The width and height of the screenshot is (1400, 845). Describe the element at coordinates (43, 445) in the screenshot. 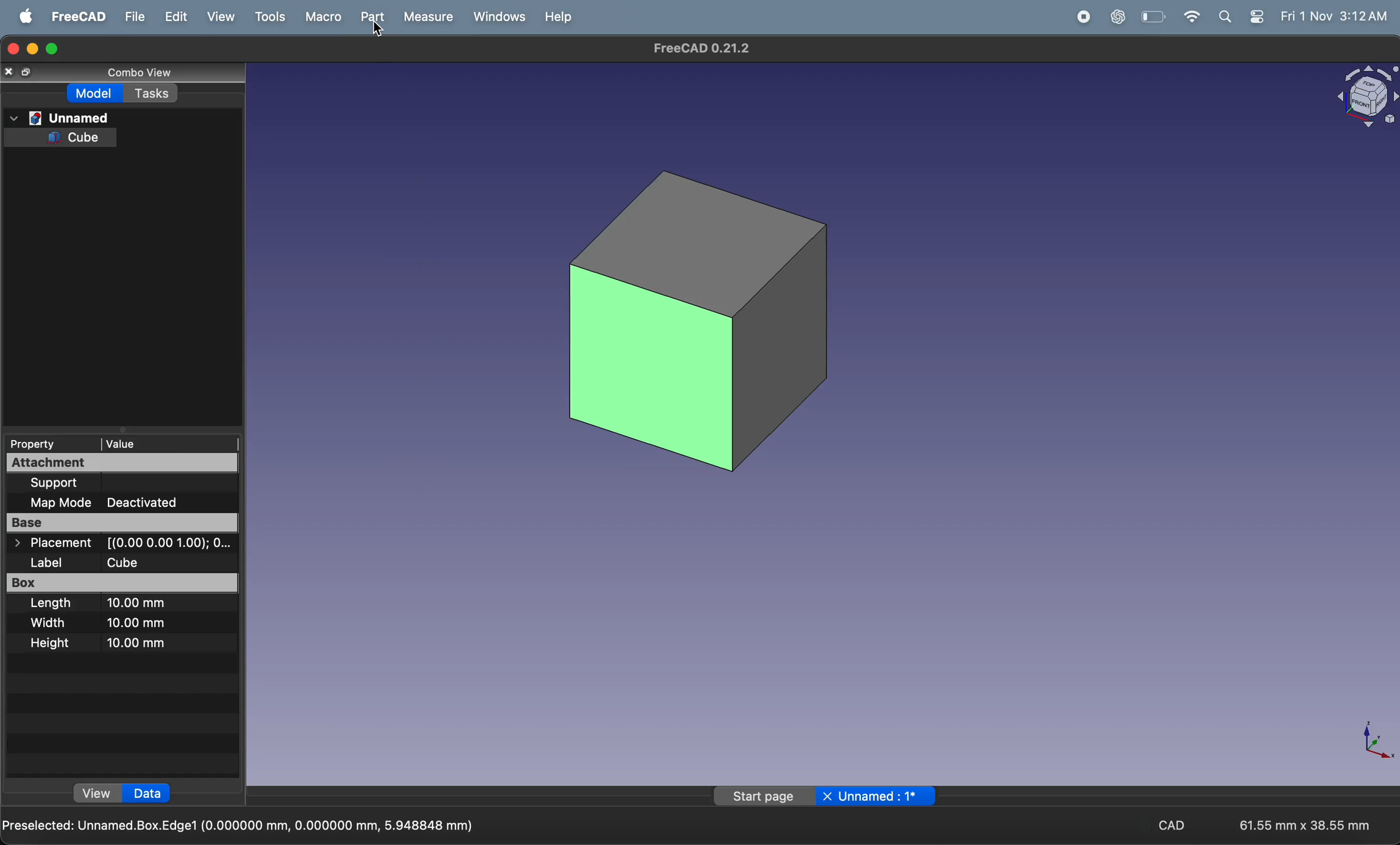

I see `Property` at that location.